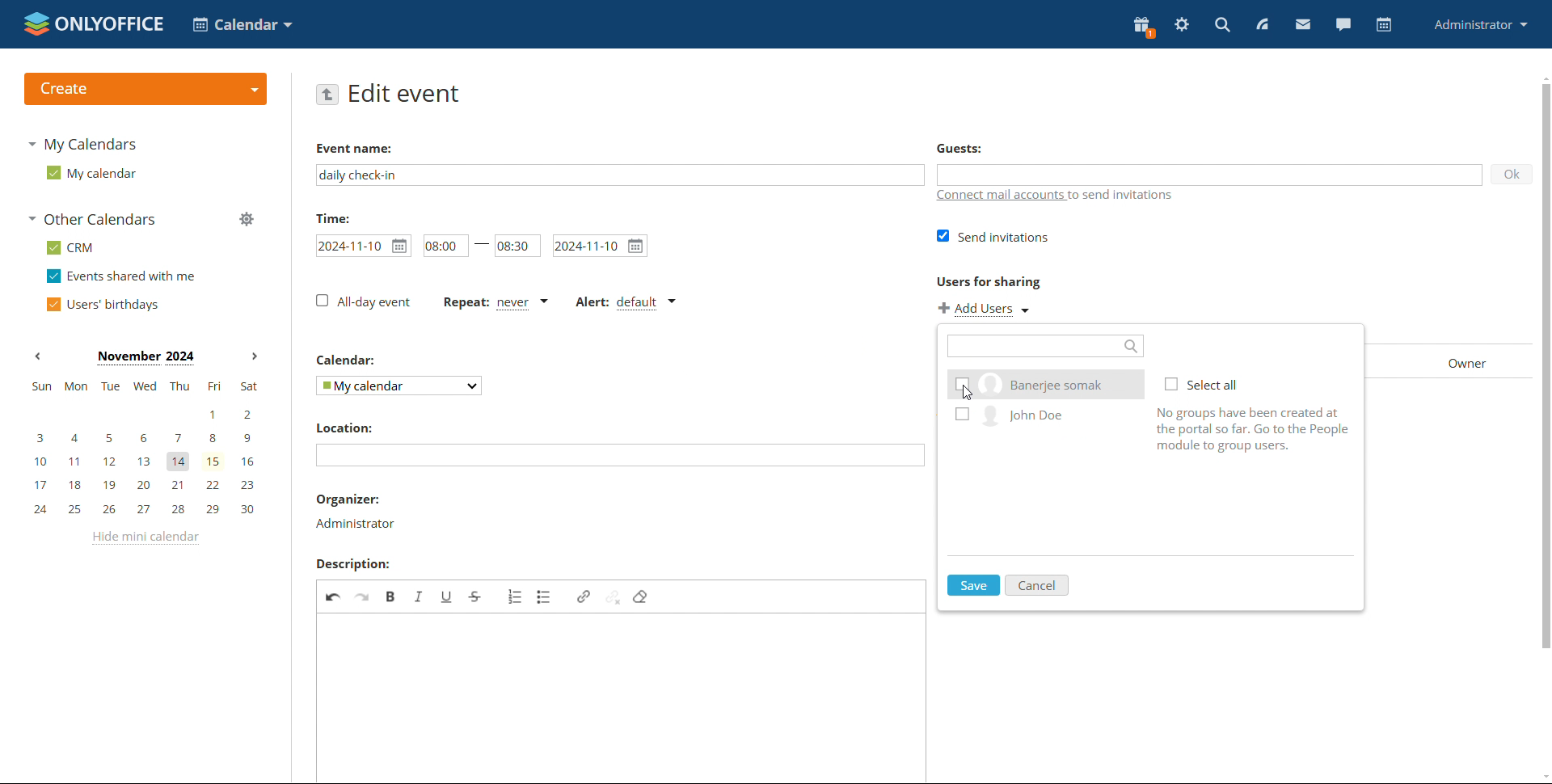  I want to click on other calendars, so click(91, 219).